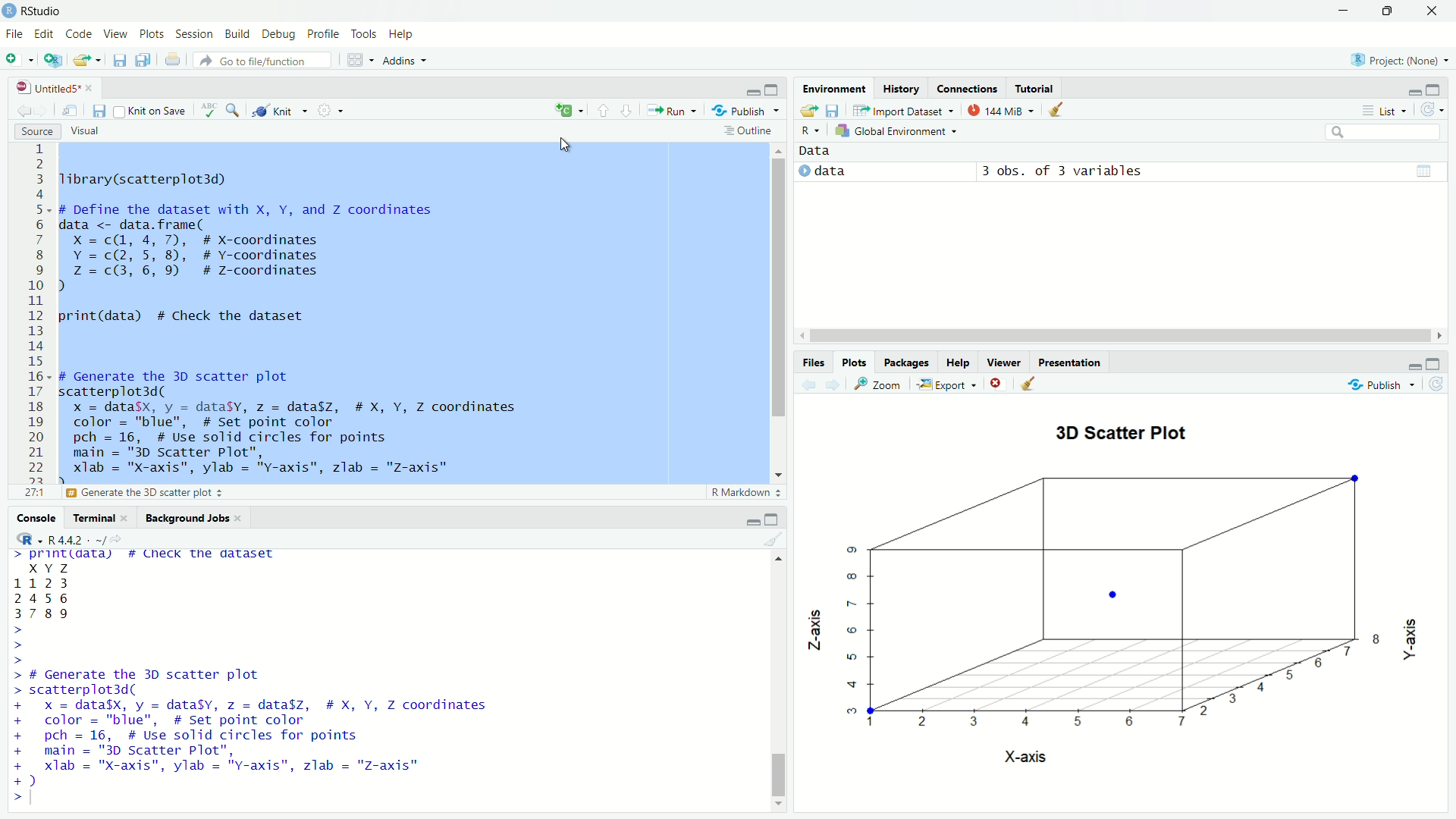 The height and width of the screenshot is (819, 1456). I want to click on knit, so click(278, 108).